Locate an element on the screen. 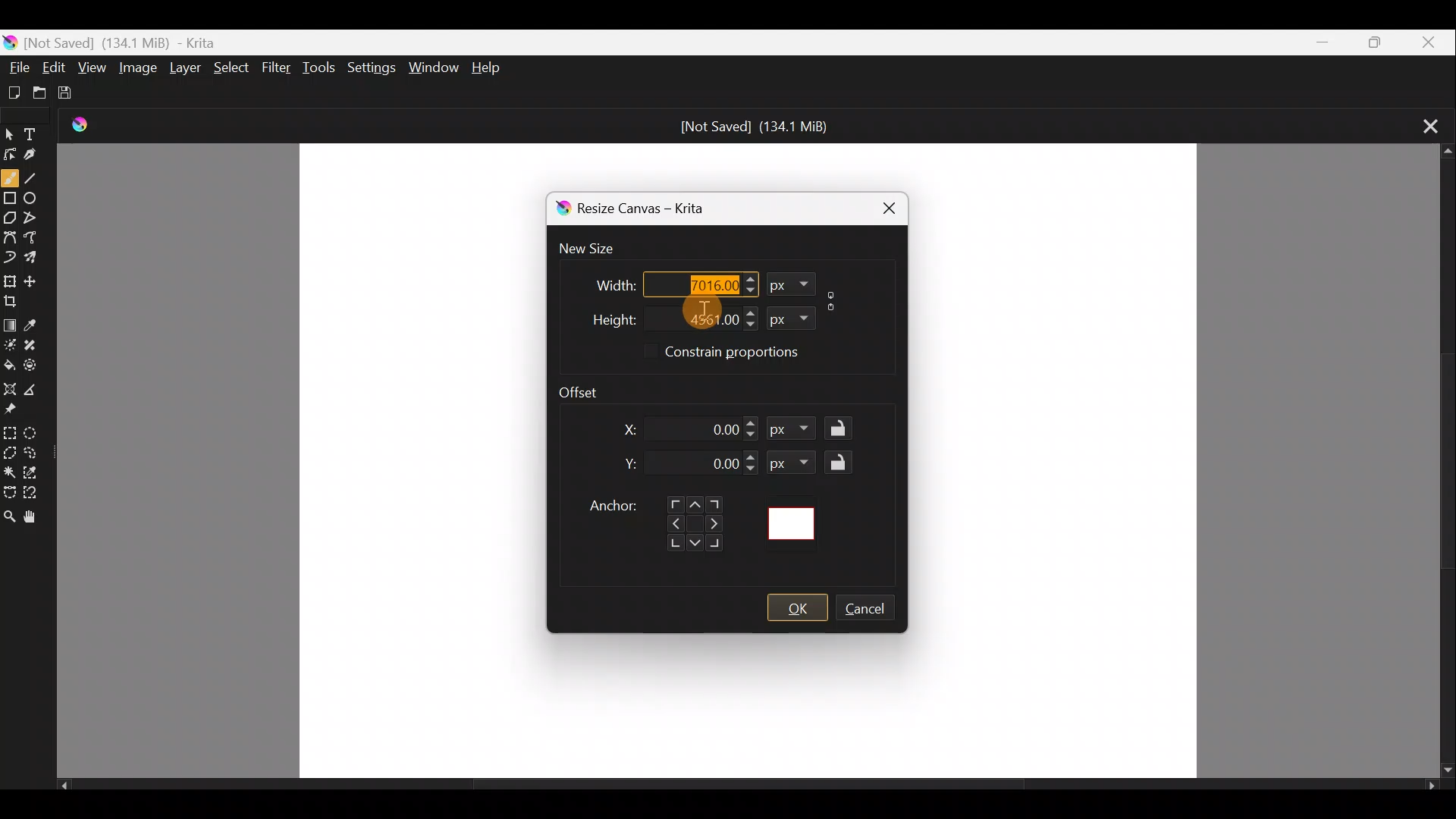 This screenshot has height=819, width=1456. Transform a layer/selection is located at coordinates (10, 281).